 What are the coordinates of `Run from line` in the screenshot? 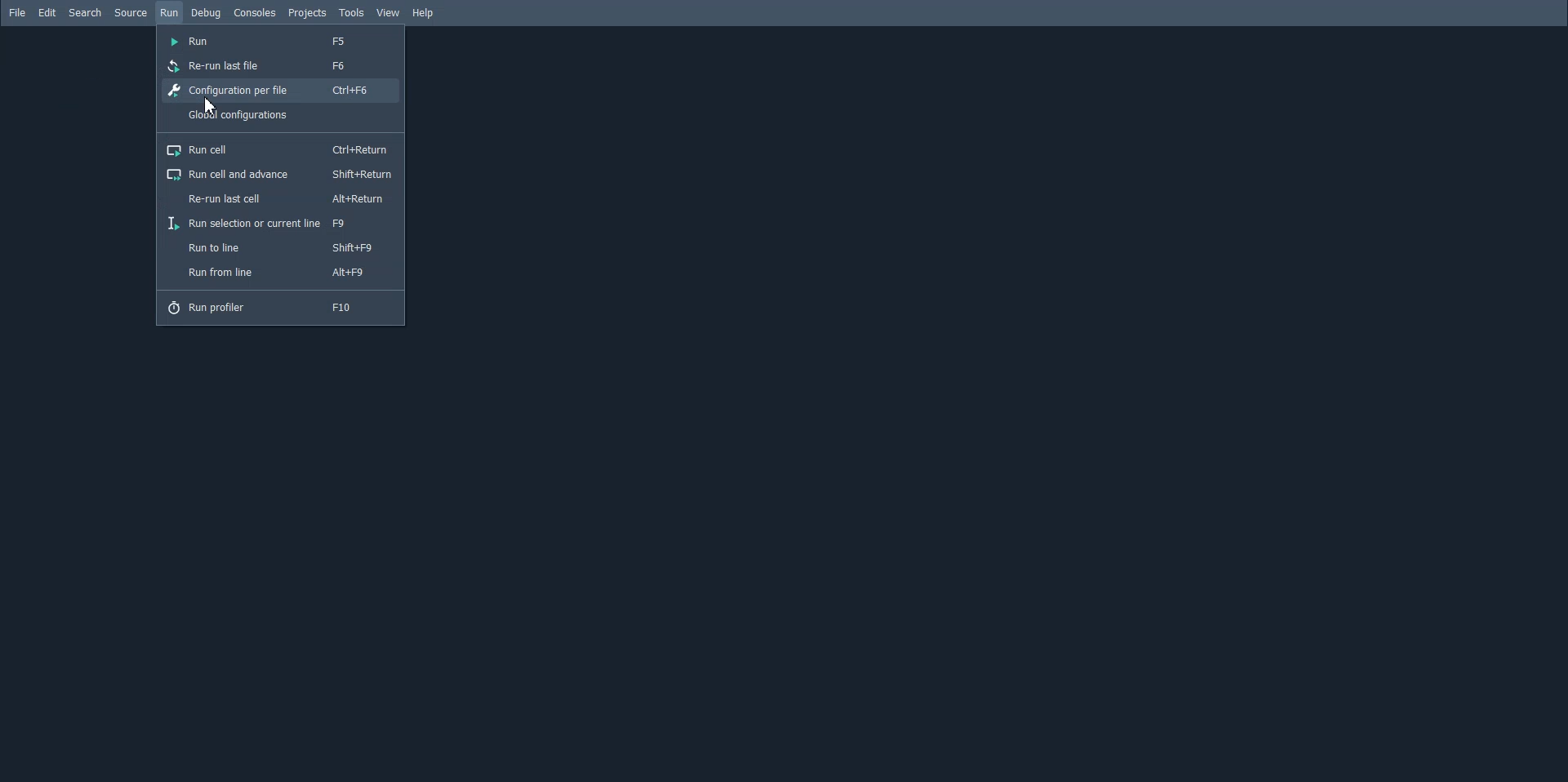 It's located at (283, 270).